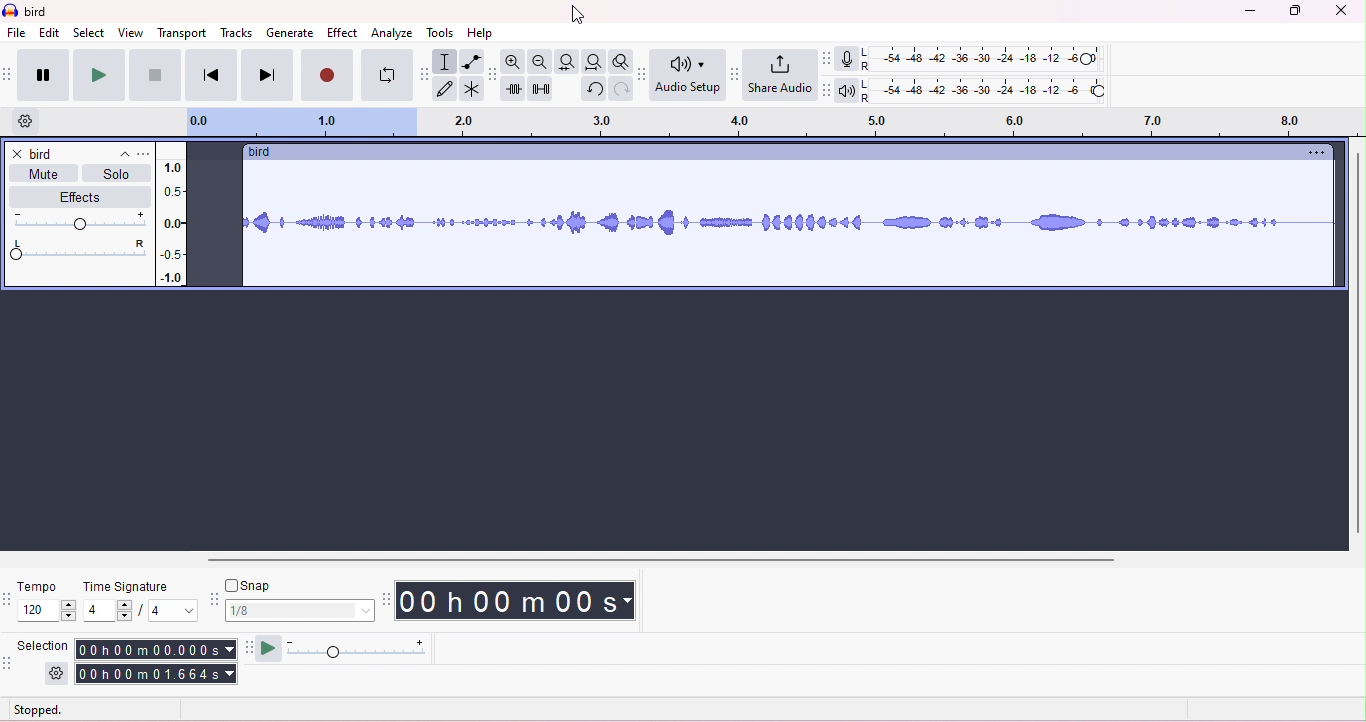  What do you see at coordinates (1356, 344) in the screenshot?
I see `vertical scroll bar` at bounding box center [1356, 344].